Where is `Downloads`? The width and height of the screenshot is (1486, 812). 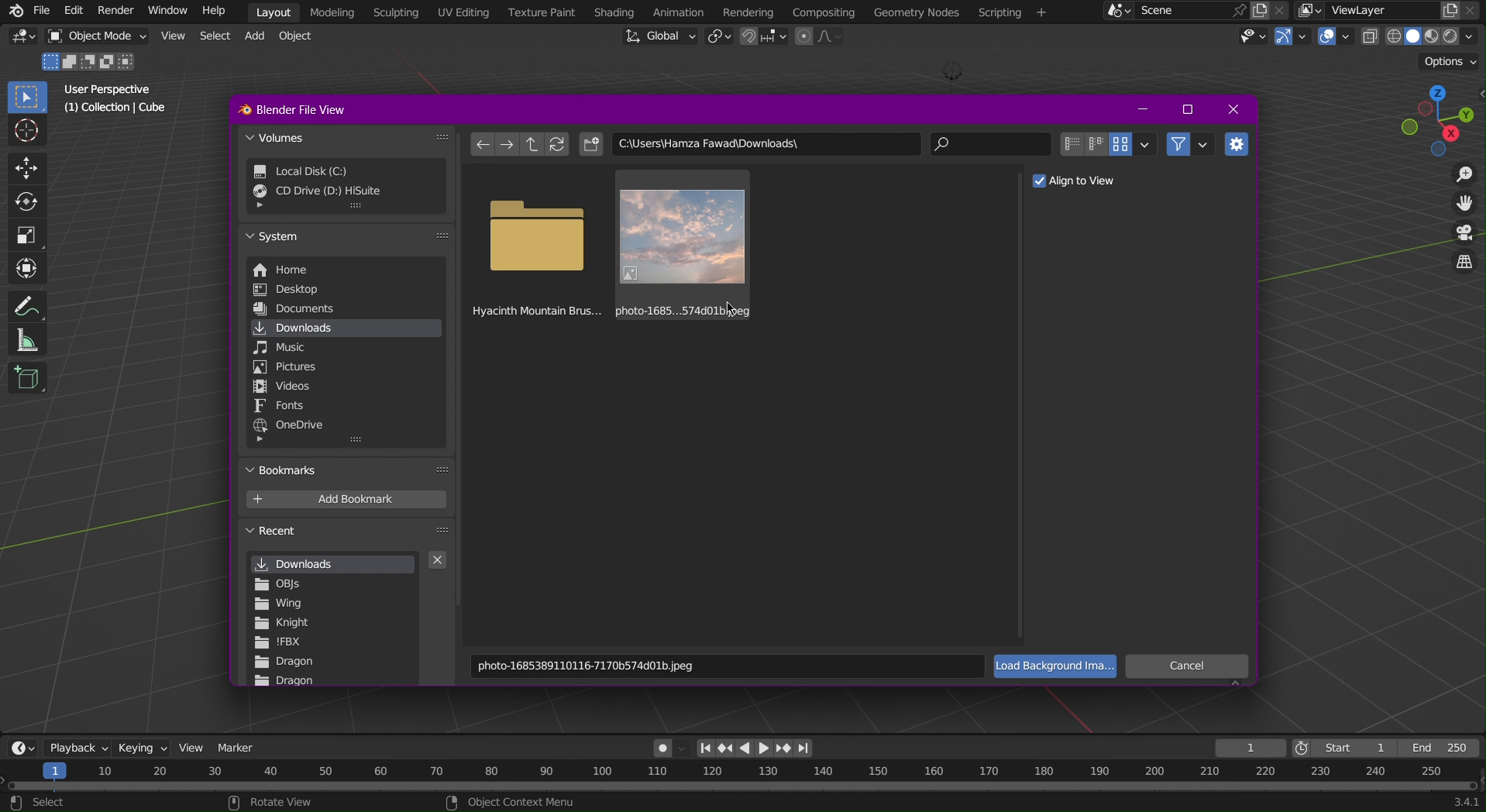 Downloads is located at coordinates (331, 566).